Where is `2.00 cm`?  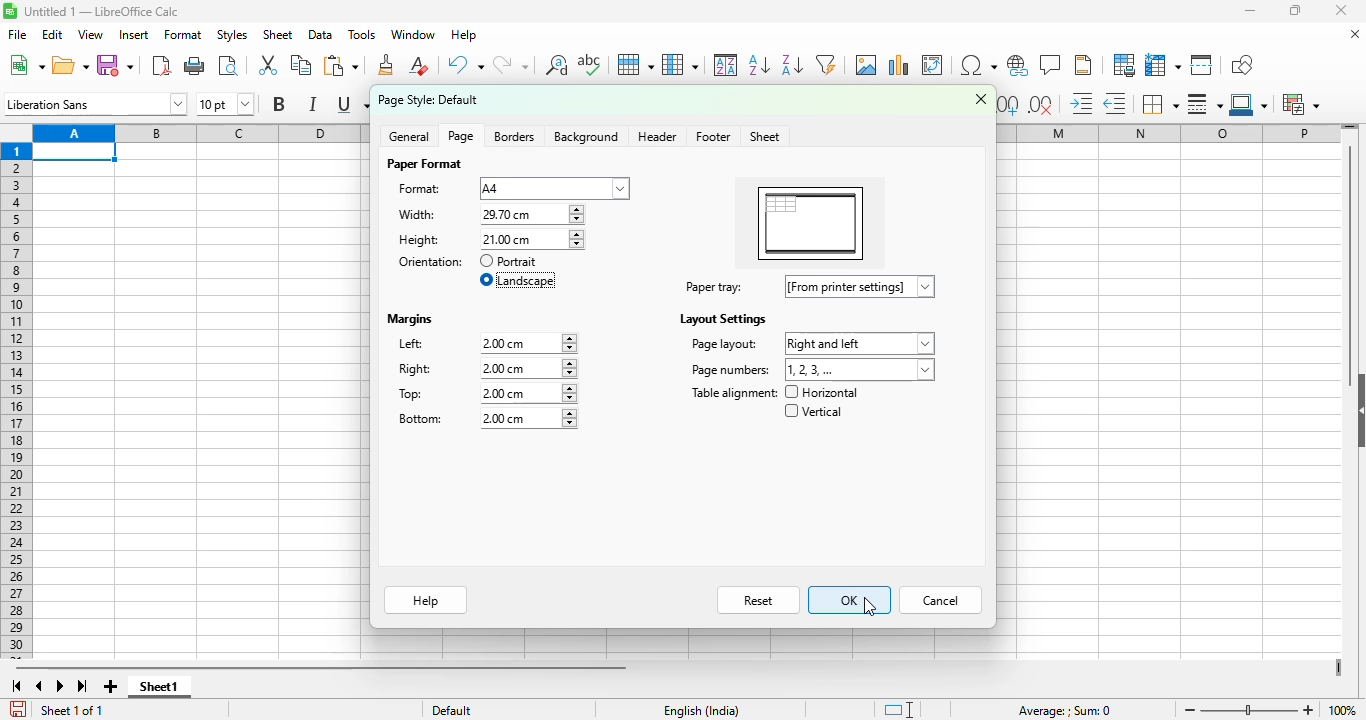 2.00 cm is located at coordinates (528, 343).